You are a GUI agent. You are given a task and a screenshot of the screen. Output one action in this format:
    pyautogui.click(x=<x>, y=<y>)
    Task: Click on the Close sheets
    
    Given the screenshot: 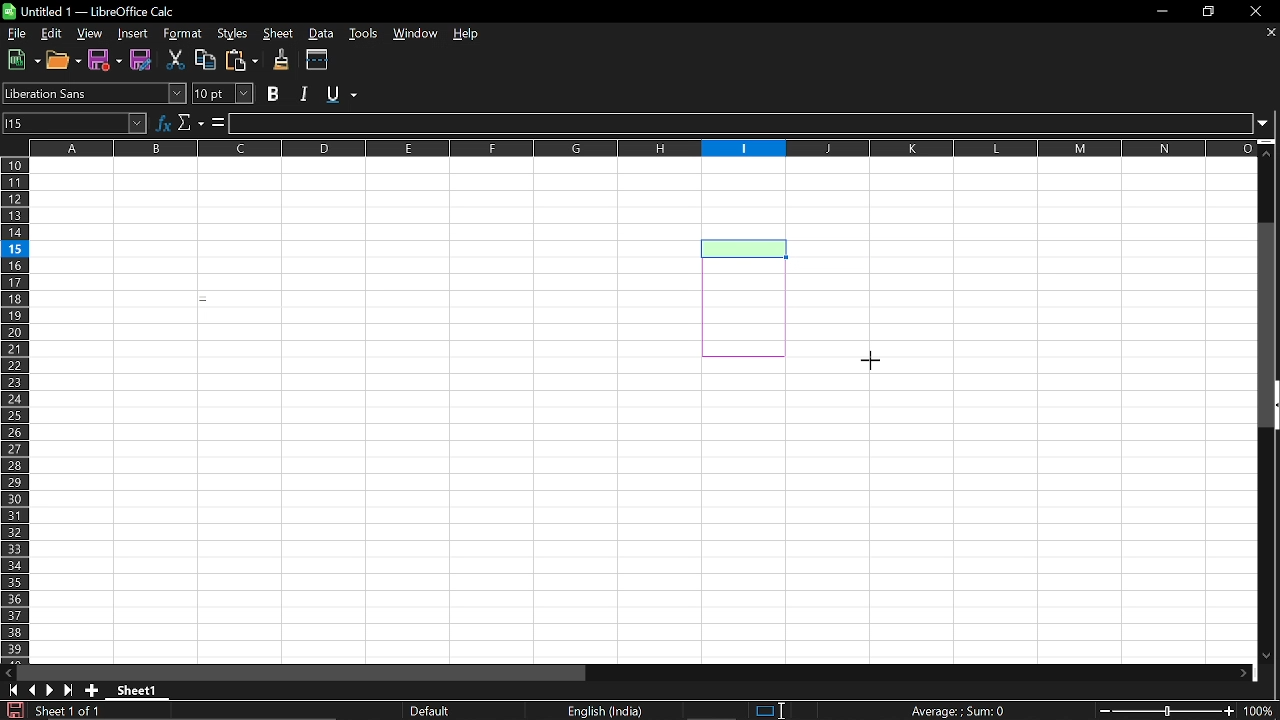 What is the action you would take?
    pyautogui.click(x=1269, y=34)
    